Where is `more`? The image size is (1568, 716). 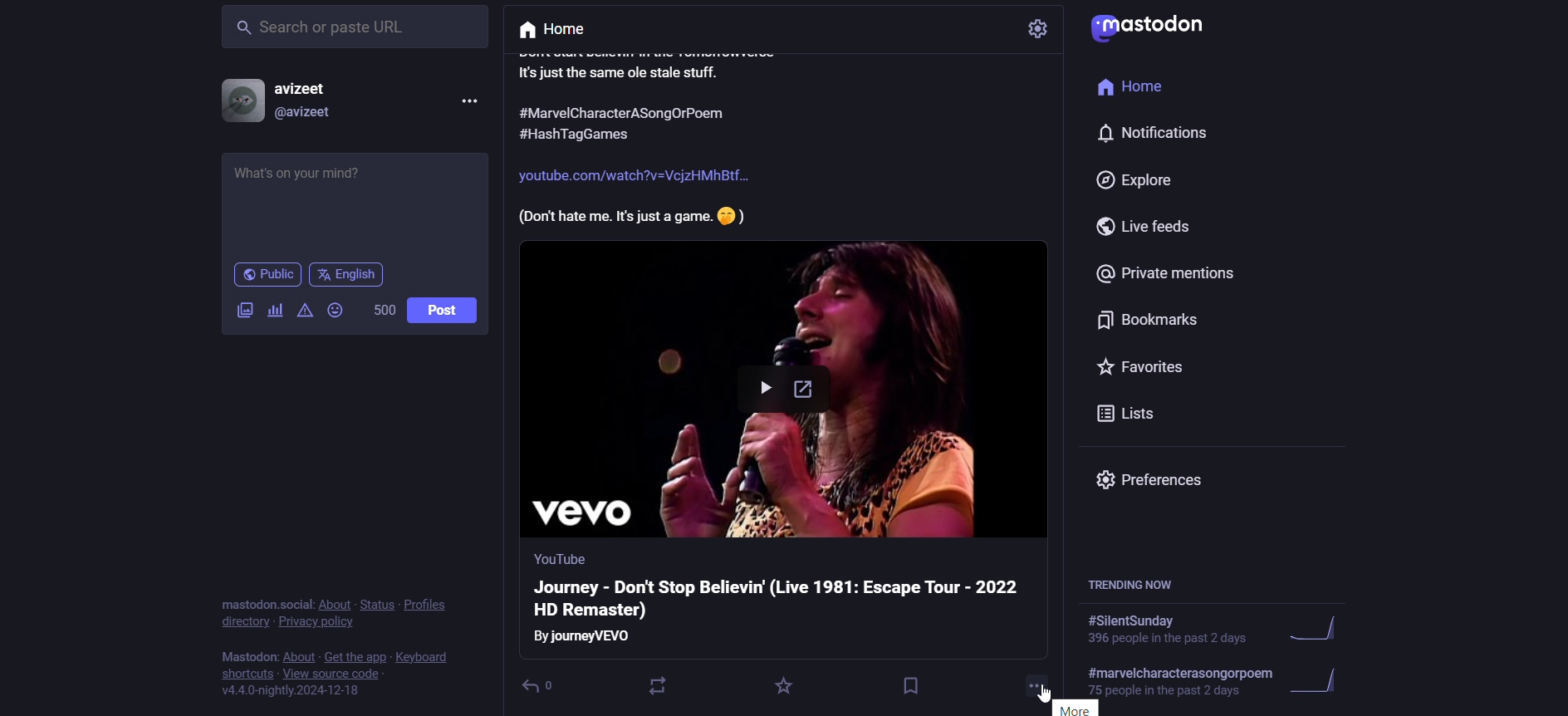
more is located at coordinates (1064, 708).